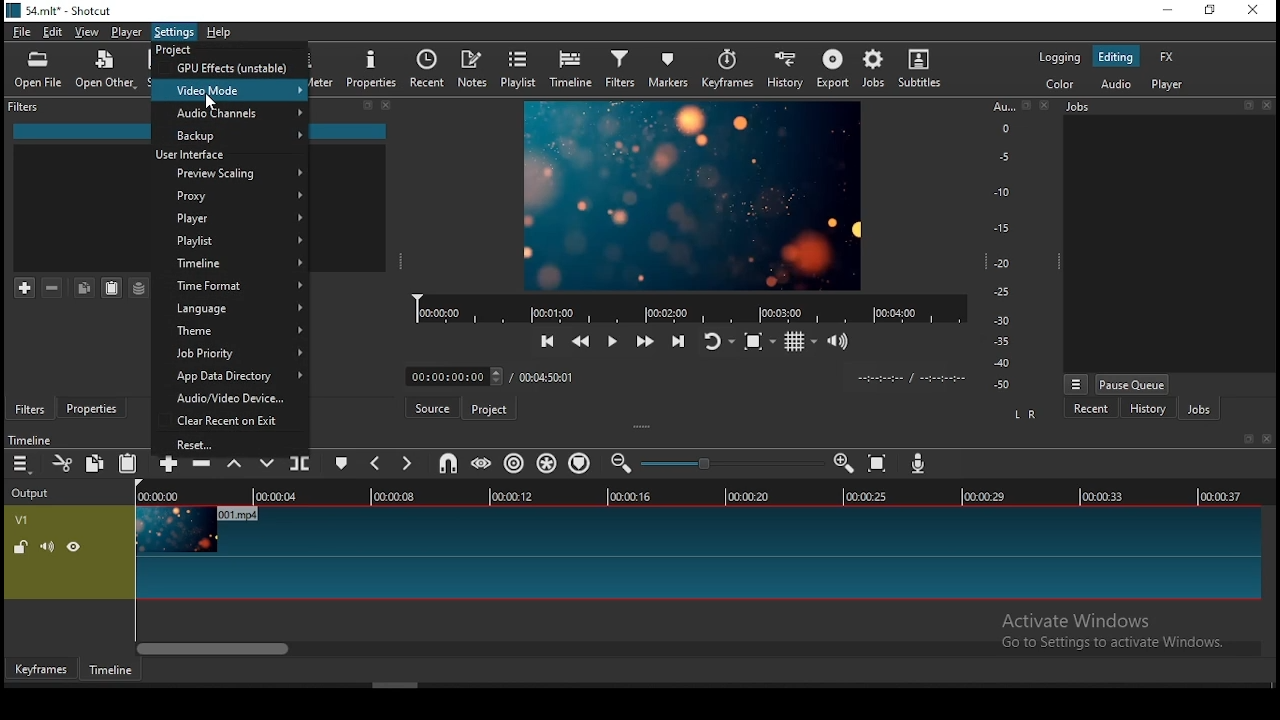 The image size is (1280, 720). Describe the element at coordinates (875, 68) in the screenshot. I see `jobs` at that location.